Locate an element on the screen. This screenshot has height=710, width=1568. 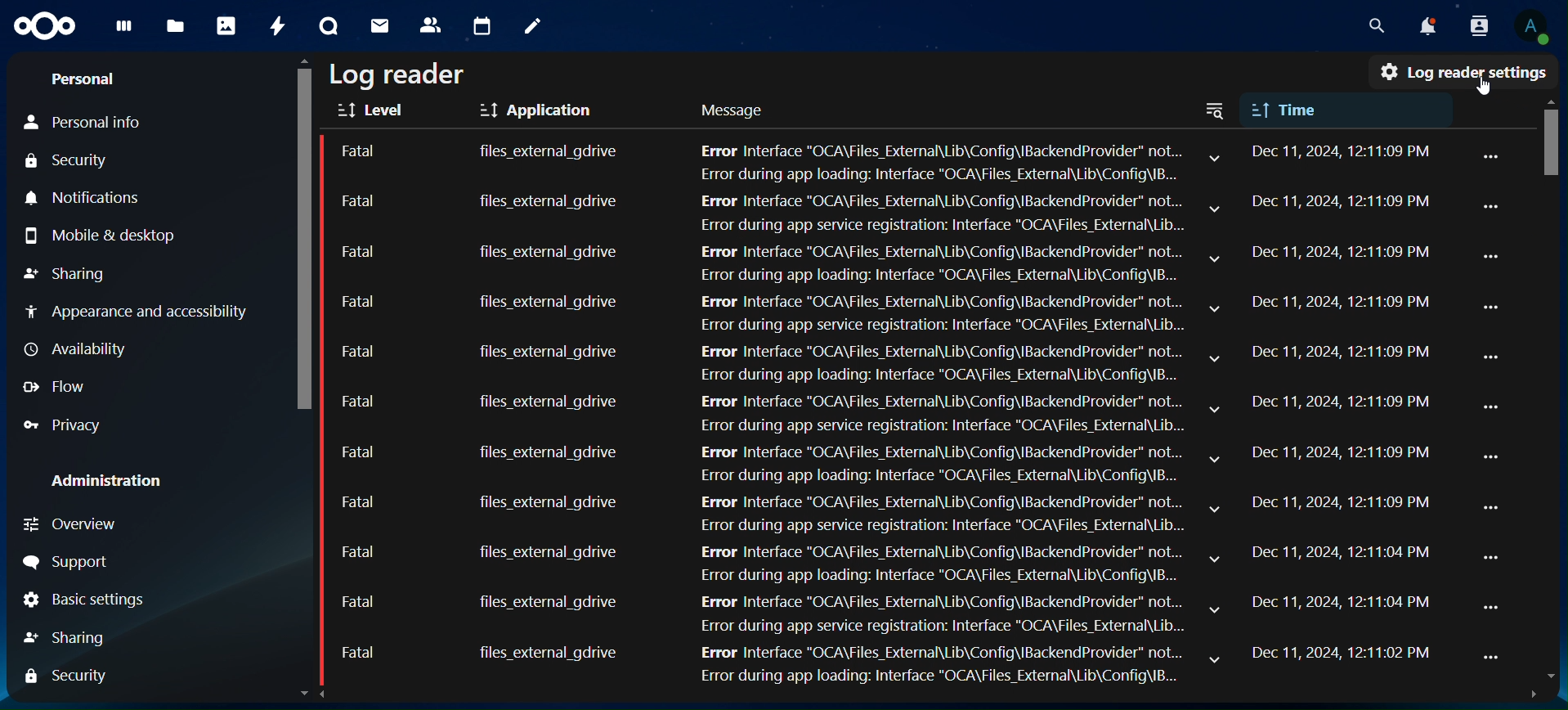
sharing is located at coordinates (68, 270).